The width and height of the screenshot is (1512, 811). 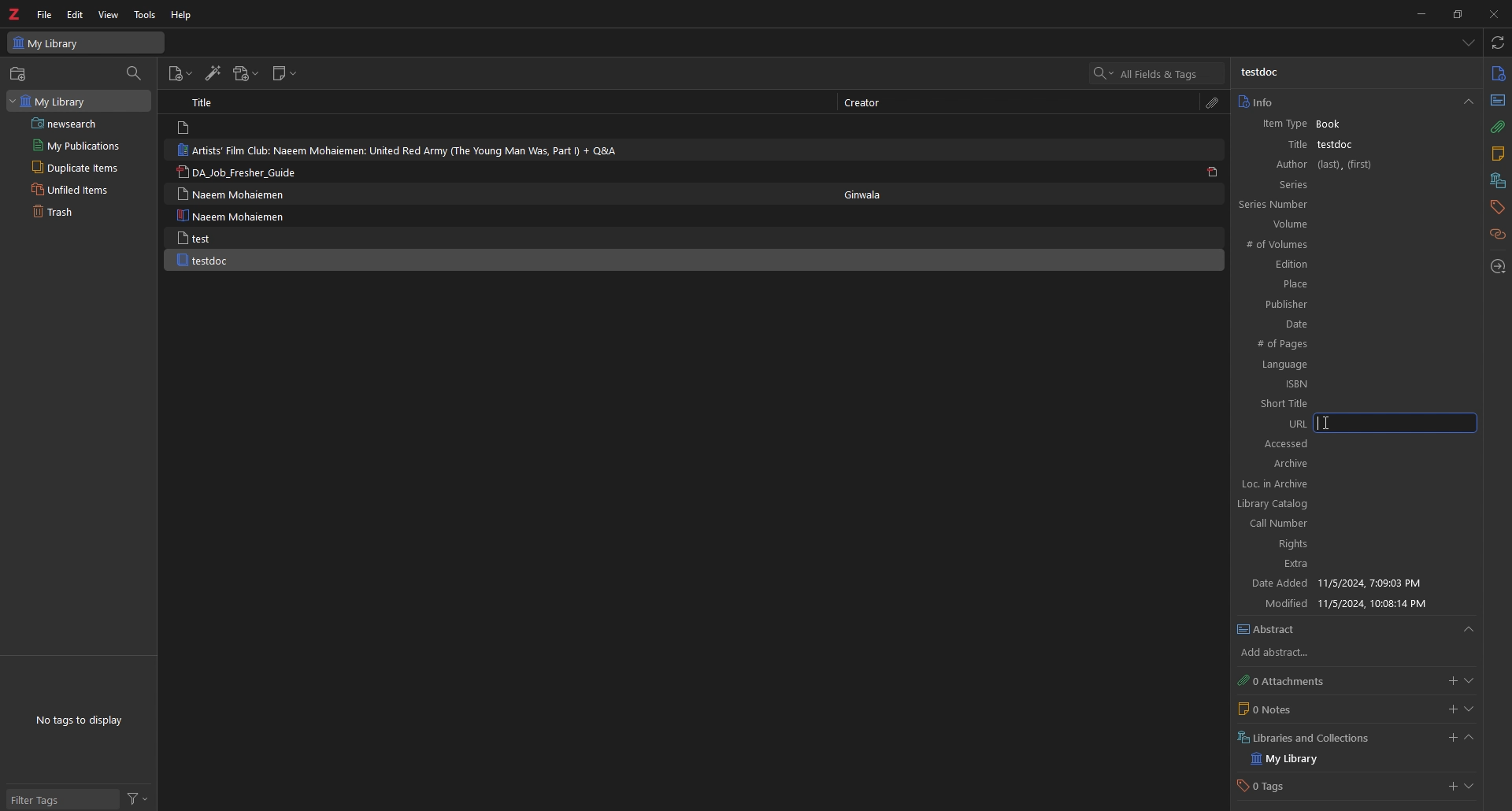 I want to click on Naeem Mohaiemen, so click(x=230, y=216).